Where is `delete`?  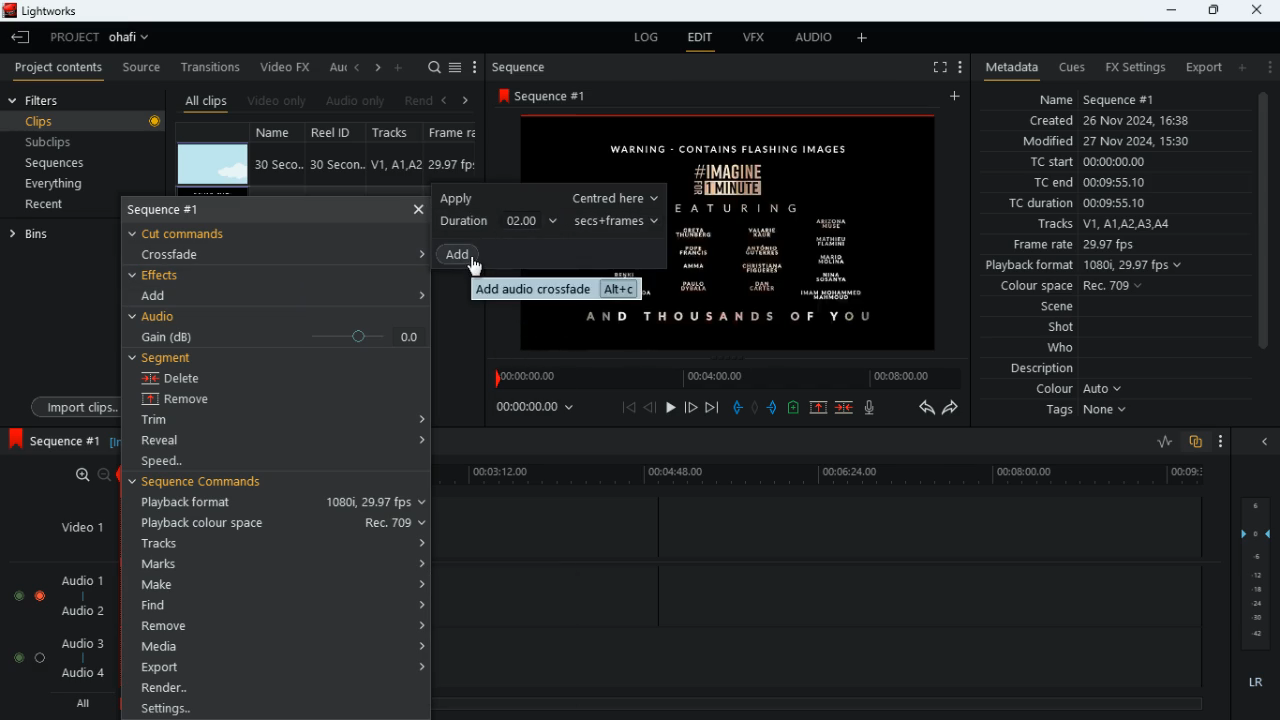 delete is located at coordinates (188, 378).